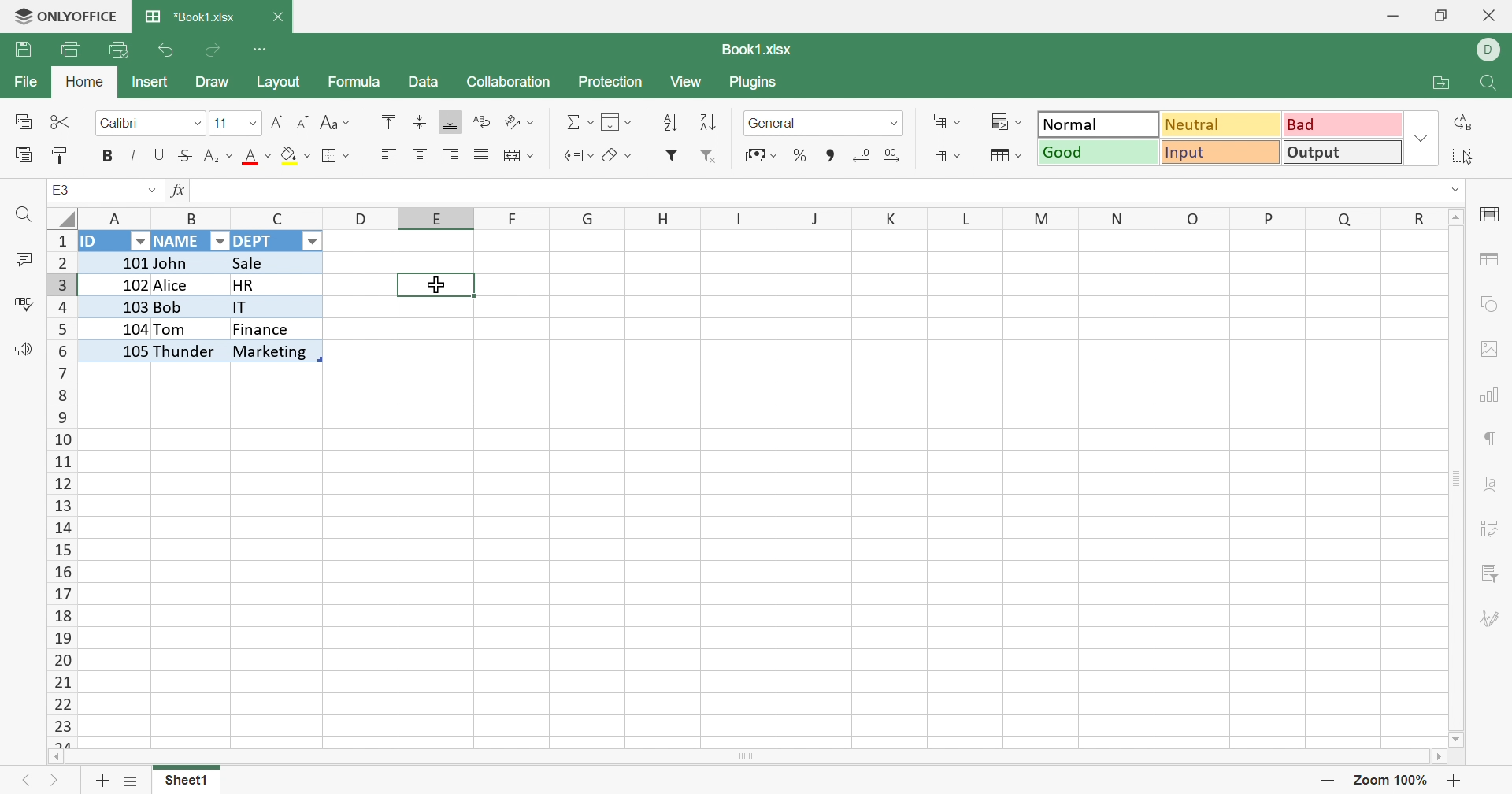 Image resolution: width=1512 pixels, height=794 pixels. What do you see at coordinates (438, 283) in the screenshot?
I see `Cursor` at bounding box center [438, 283].